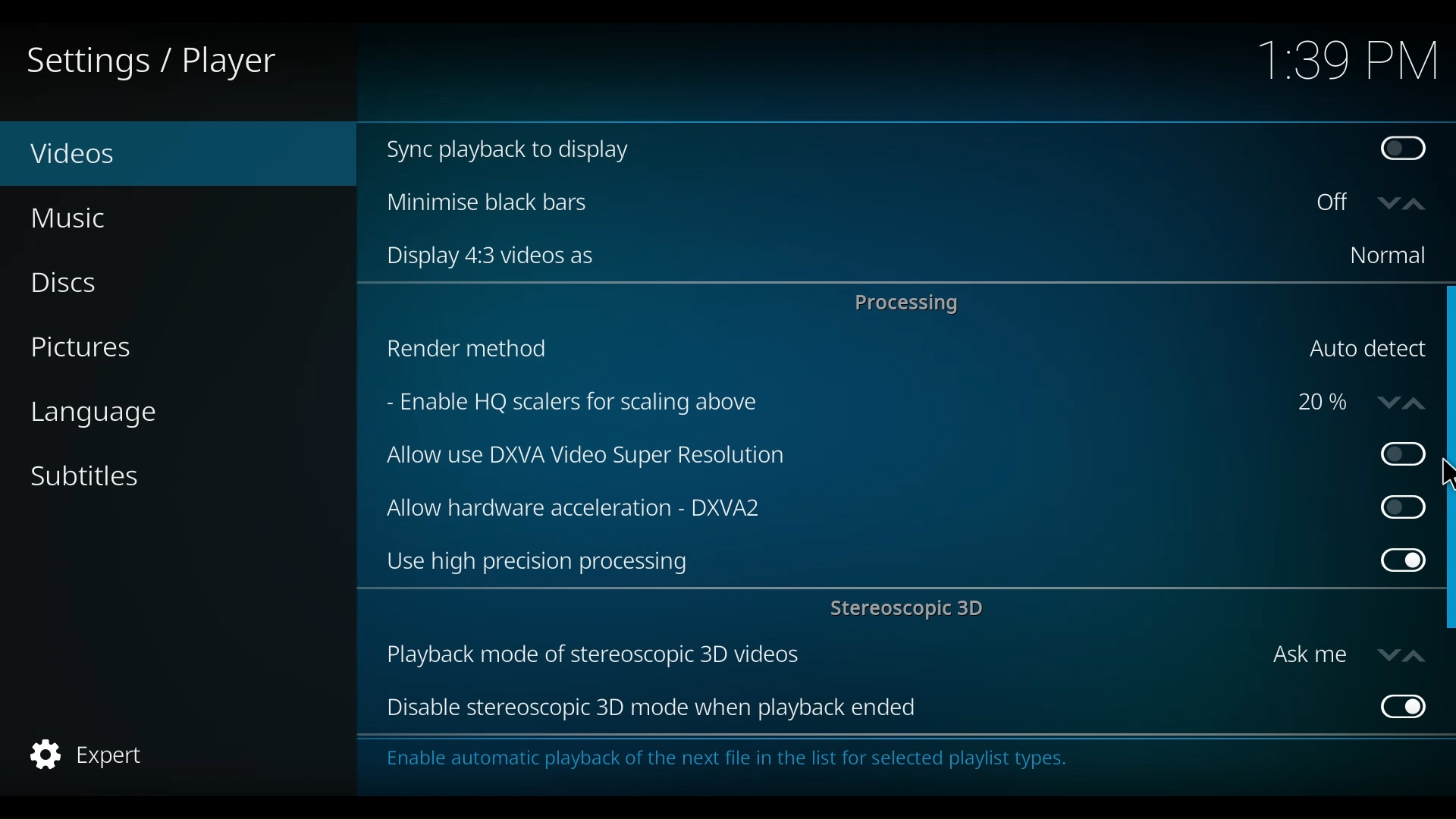  Describe the element at coordinates (858, 151) in the screenshot. I see `Sync playback to display` at that location.